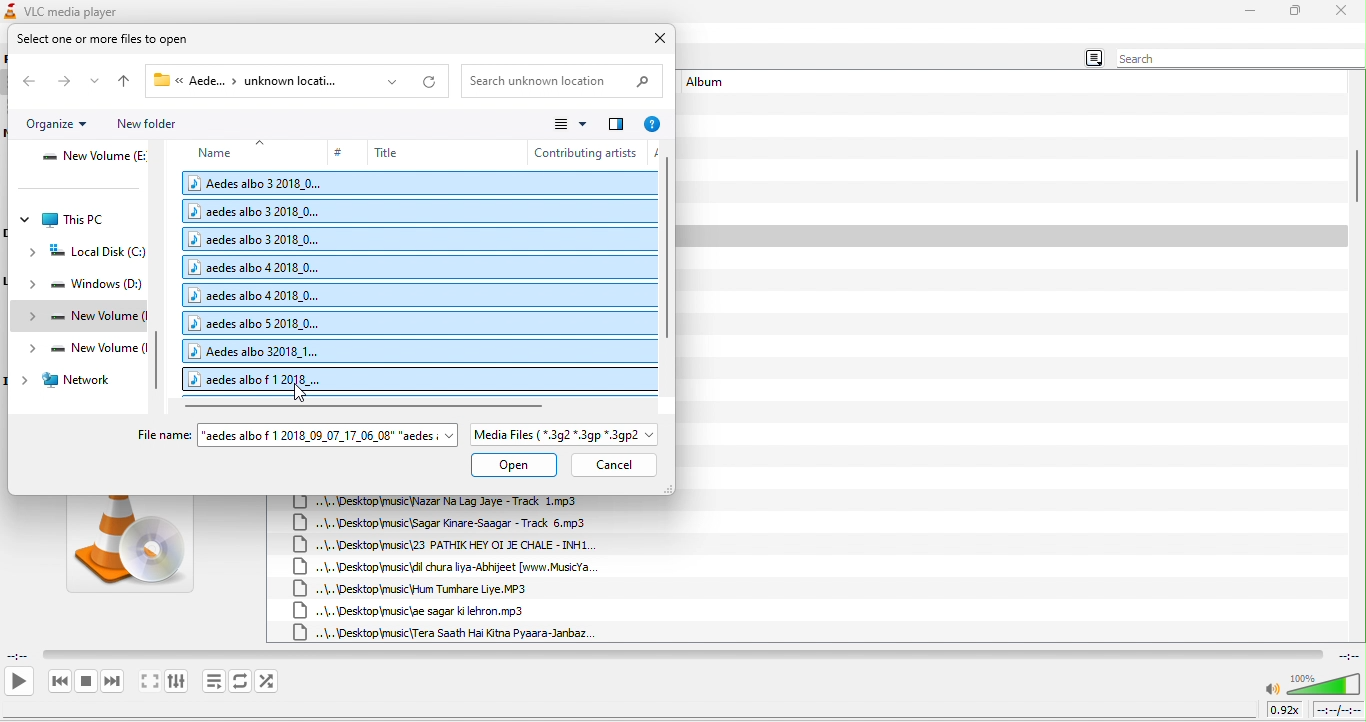  What do you see at coordinates (1236, 59) in the screenshot?
I see `search` at bounding box center [1236, 59].